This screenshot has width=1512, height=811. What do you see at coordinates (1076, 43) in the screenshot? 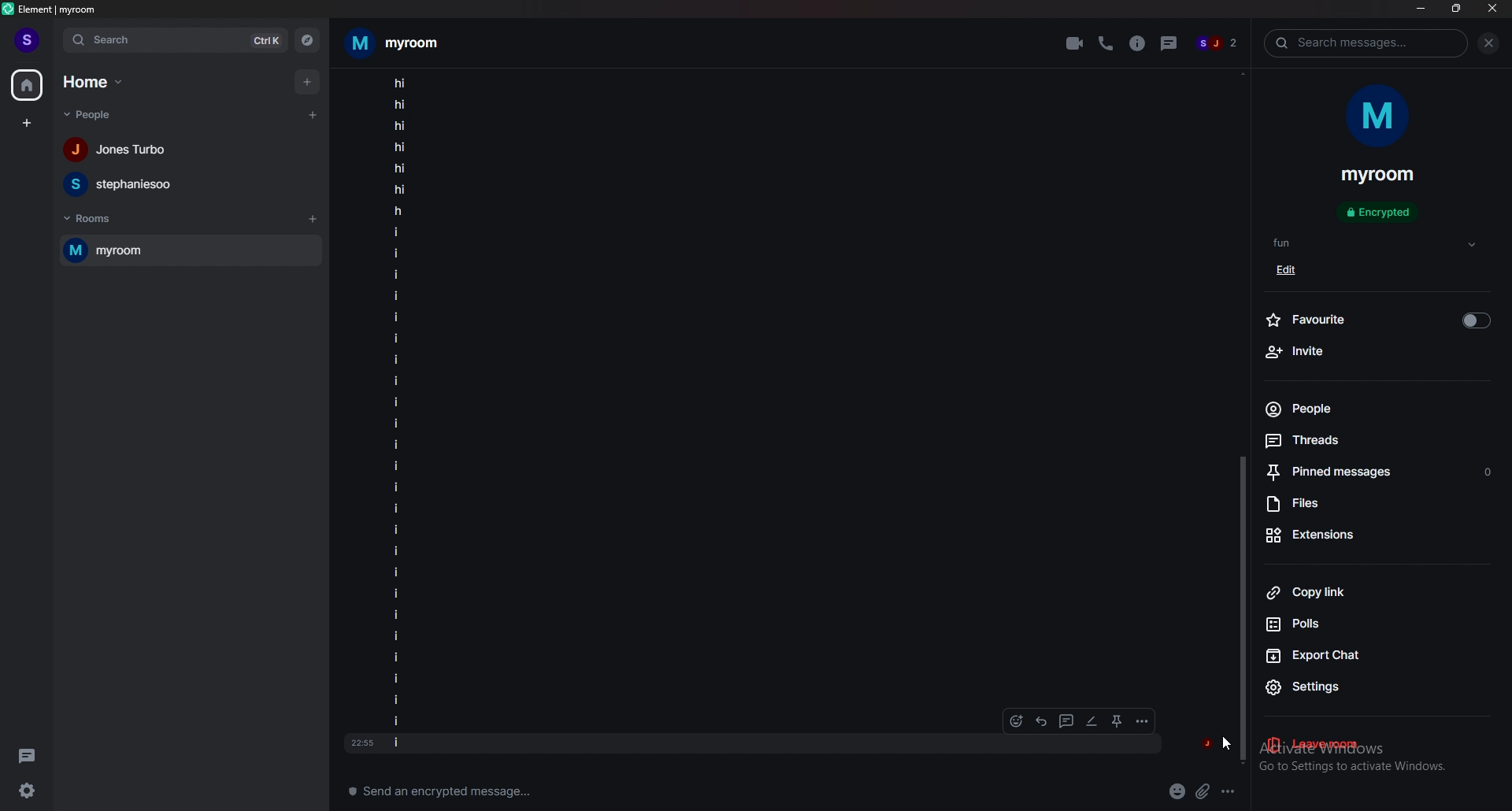
I see `video call` at bounding box center [1076, 43].